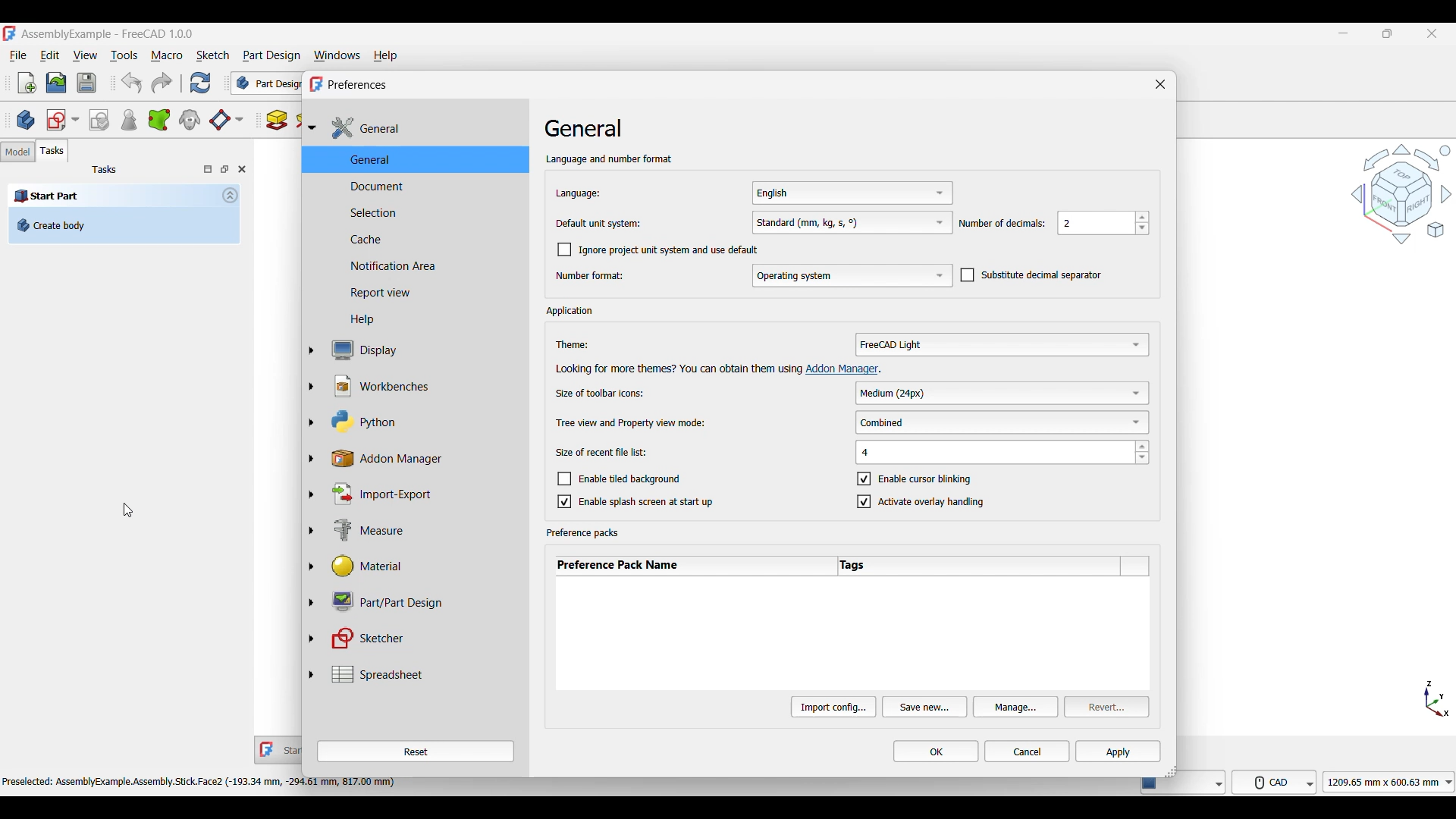 The height and width of the screenshot is (819, 1456). What do you see at coordinates (354, 83) in the screenshot?
I see `Preferences` at bounding box center [354, 83].